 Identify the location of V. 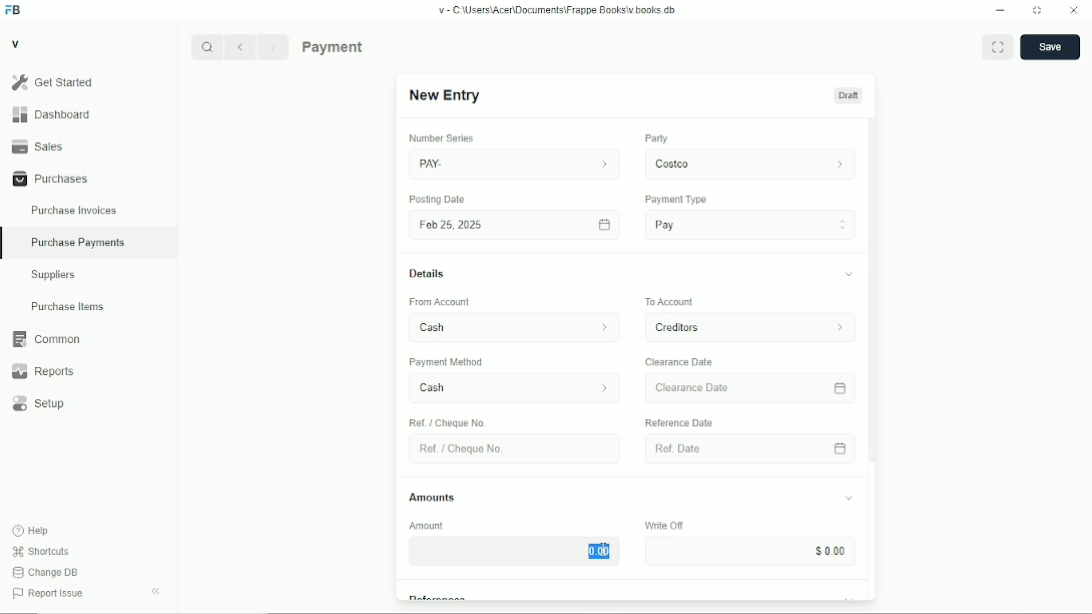
(16, 43).